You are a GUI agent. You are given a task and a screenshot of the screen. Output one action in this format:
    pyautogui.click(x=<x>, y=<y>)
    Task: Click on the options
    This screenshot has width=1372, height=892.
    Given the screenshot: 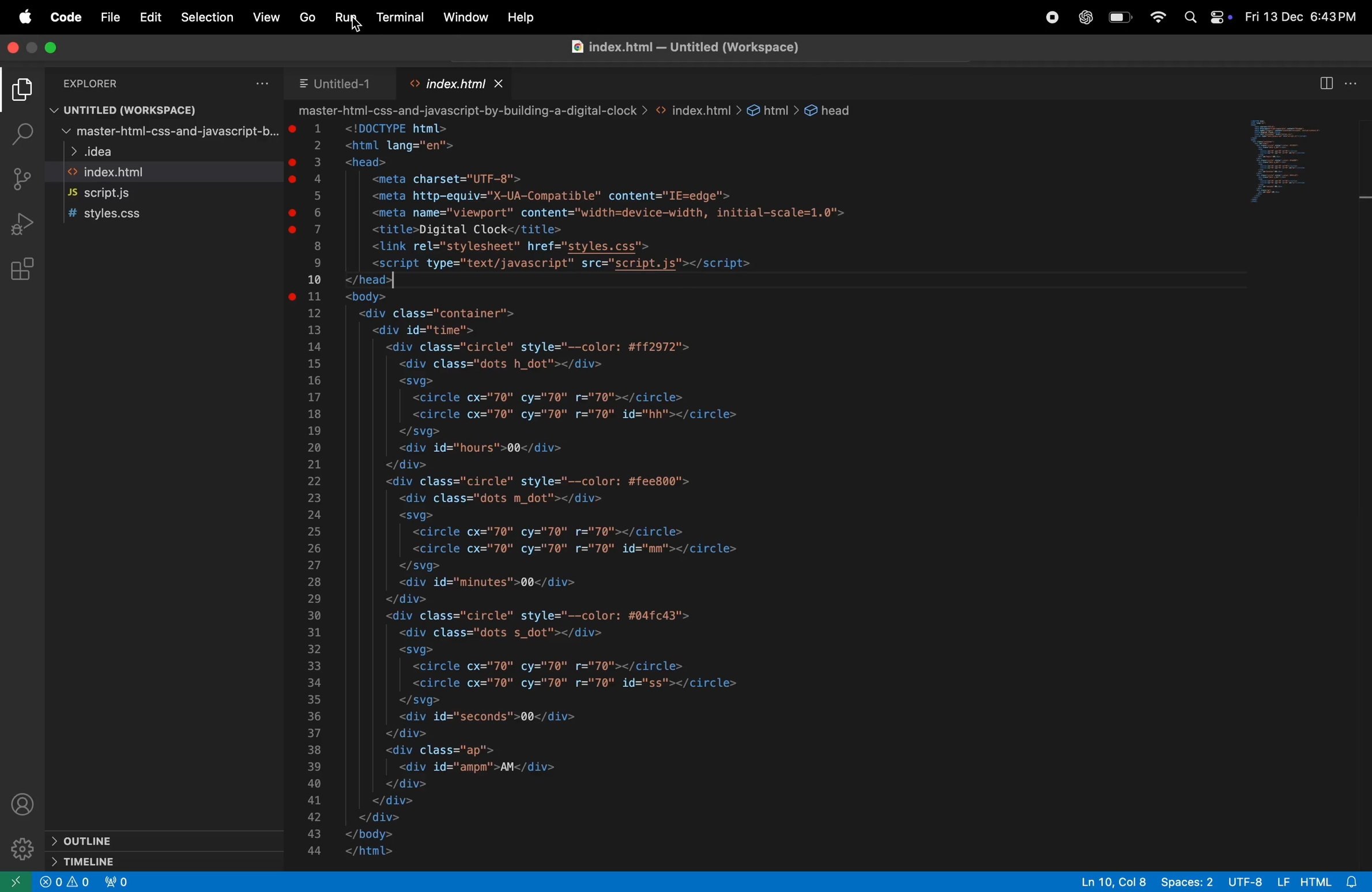 What is the action you would take?
    pyautogui.click(x=258, y=85)
    